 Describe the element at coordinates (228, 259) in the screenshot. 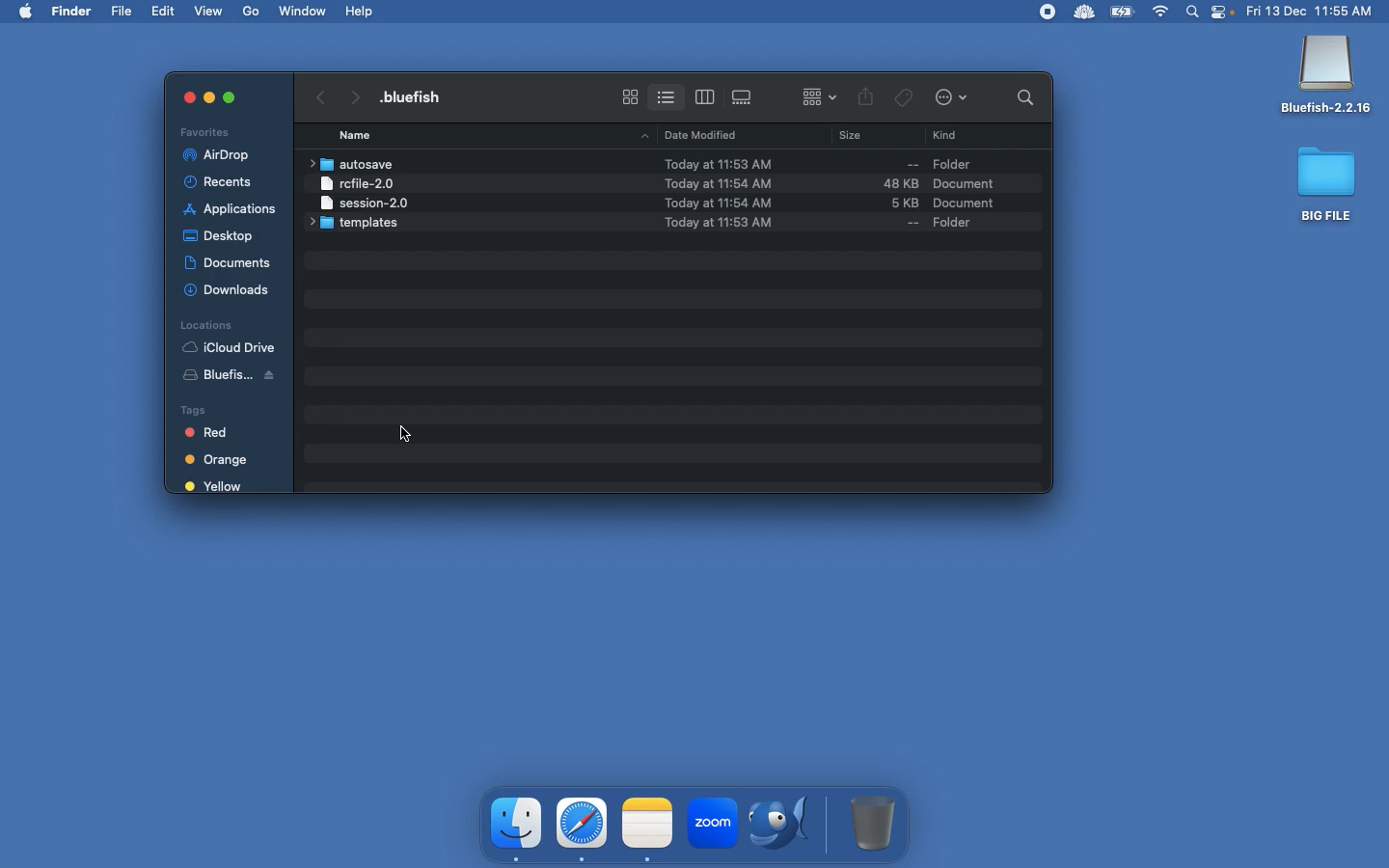

I see `documents` at that location.